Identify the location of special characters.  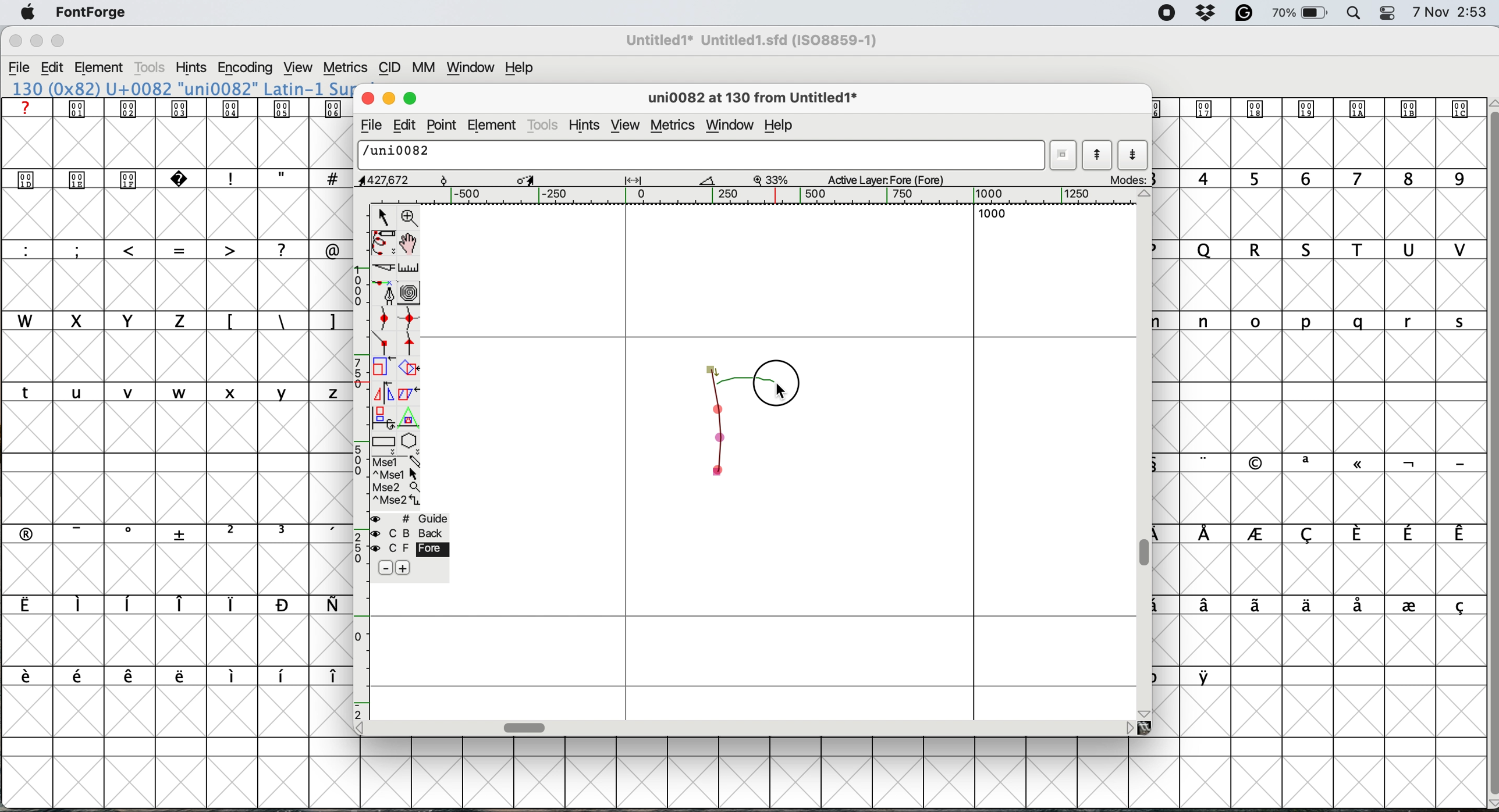
(171, 606).